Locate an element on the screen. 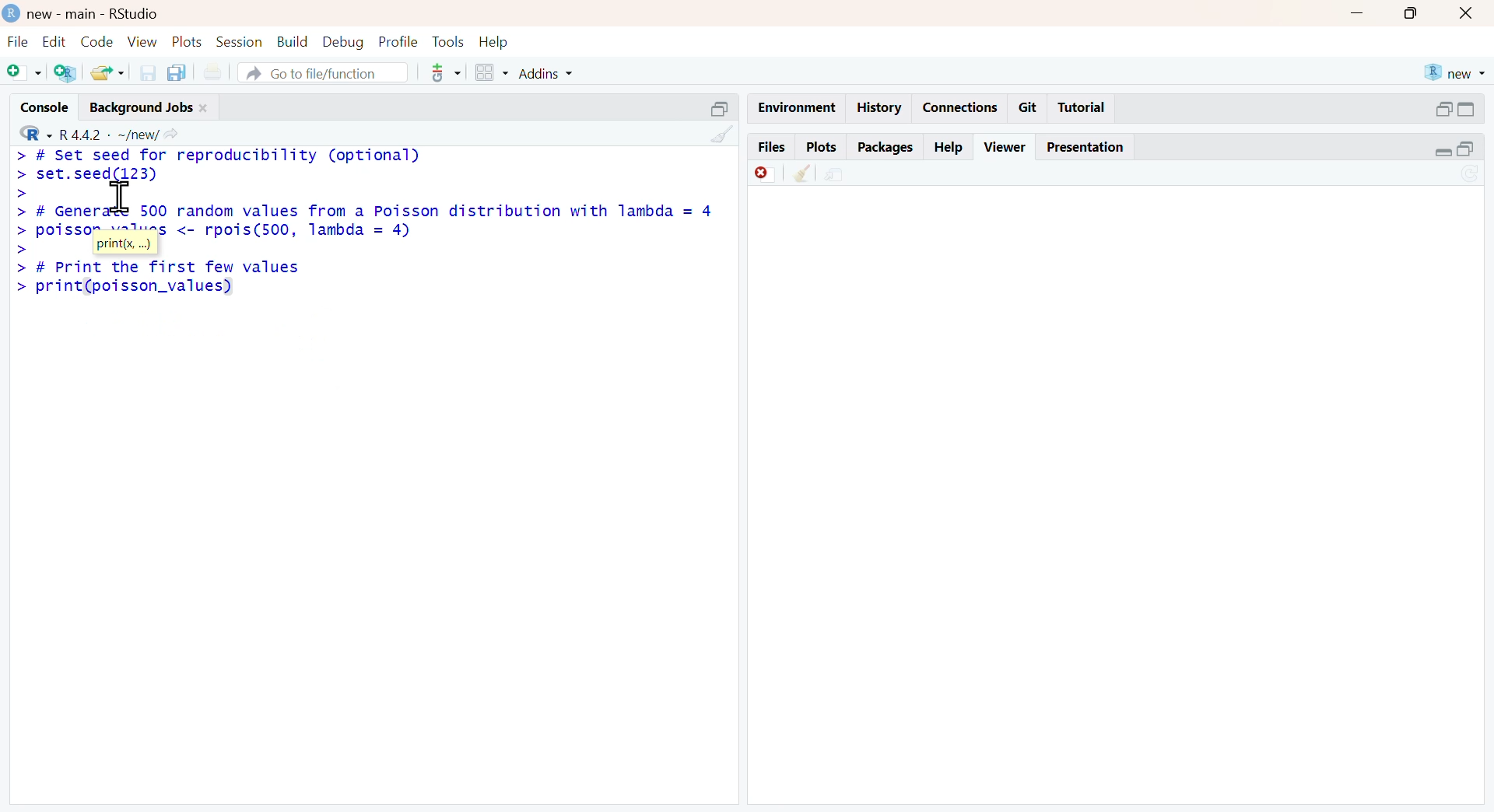 This screenshot has width=1494, height=812. R 4.4.2 ~/new/ is located at coordinates (110, 135).